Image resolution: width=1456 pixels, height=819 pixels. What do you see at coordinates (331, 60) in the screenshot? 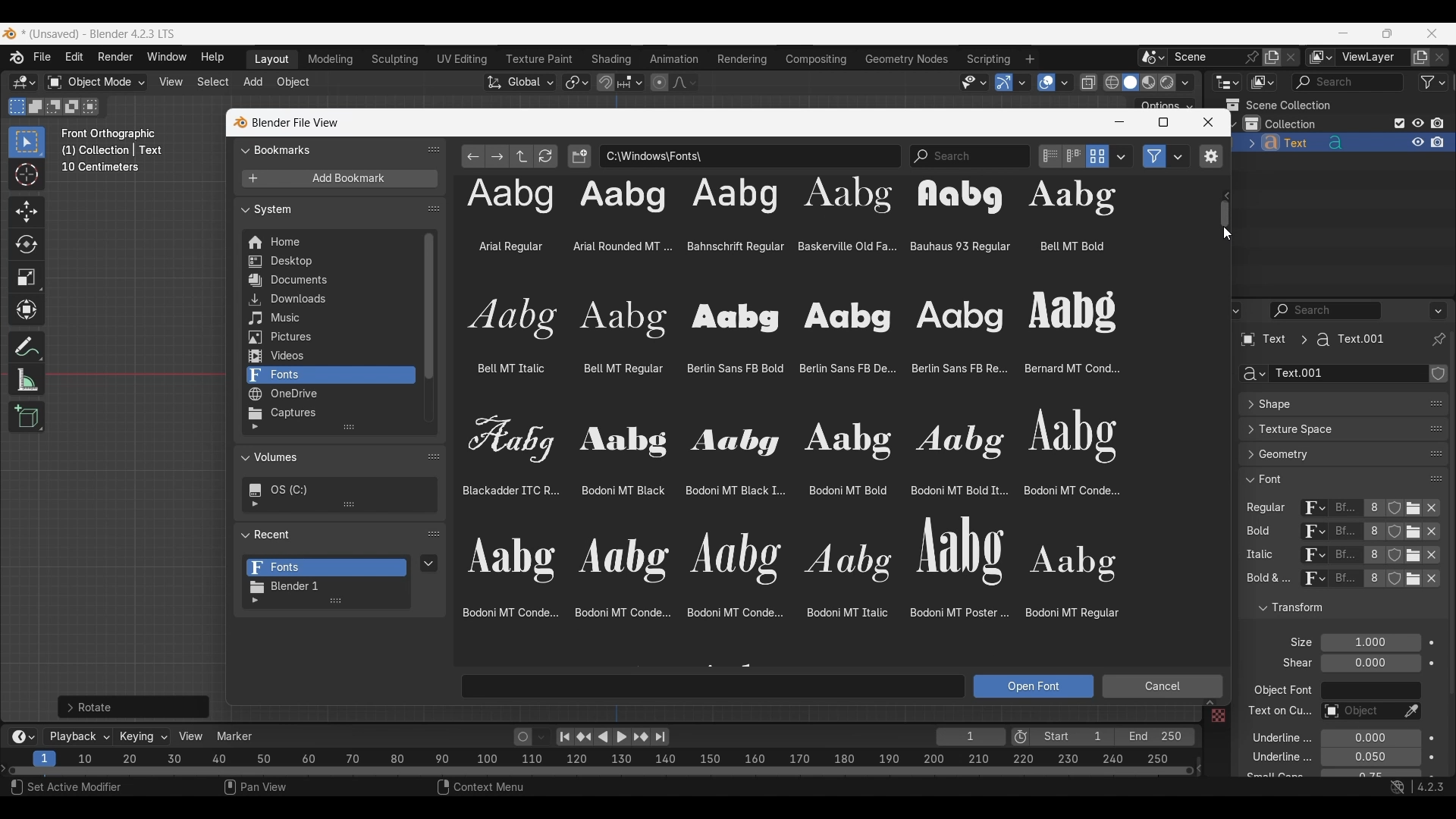
I see `Medeling workspace` at bounding box center [331, 60].